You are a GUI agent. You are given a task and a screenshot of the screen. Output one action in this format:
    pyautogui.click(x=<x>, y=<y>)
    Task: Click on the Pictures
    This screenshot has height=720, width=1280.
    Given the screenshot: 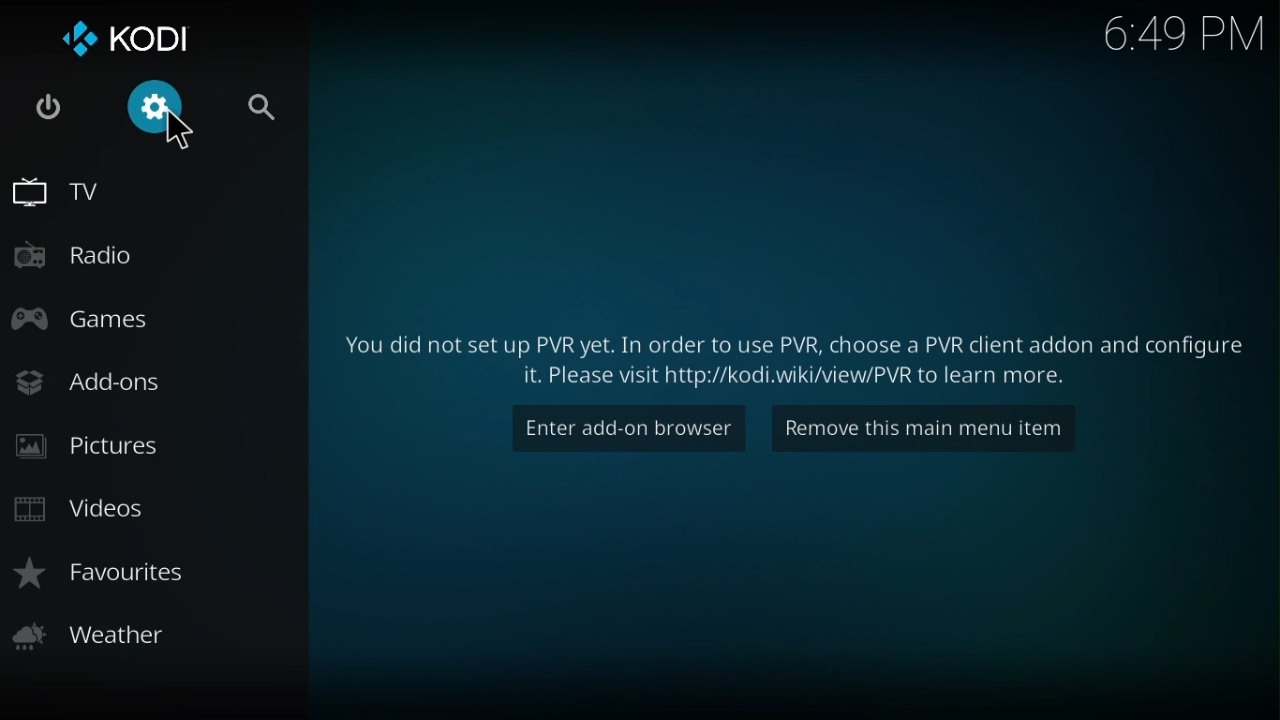 What is the action you would take?
    pyautogui.click(x=86, y=446)
    